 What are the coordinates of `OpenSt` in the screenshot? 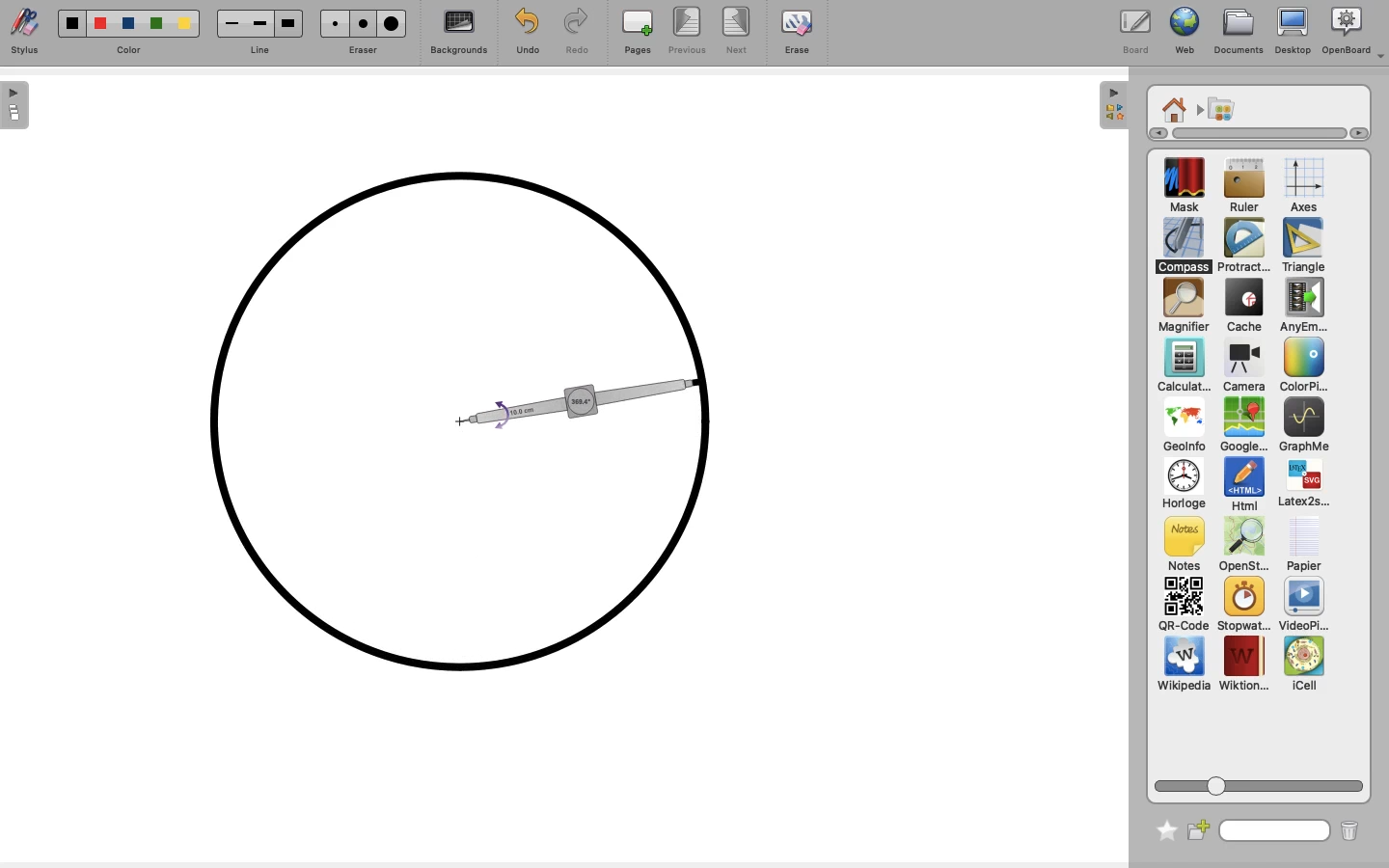 It's located at (1239, 547).